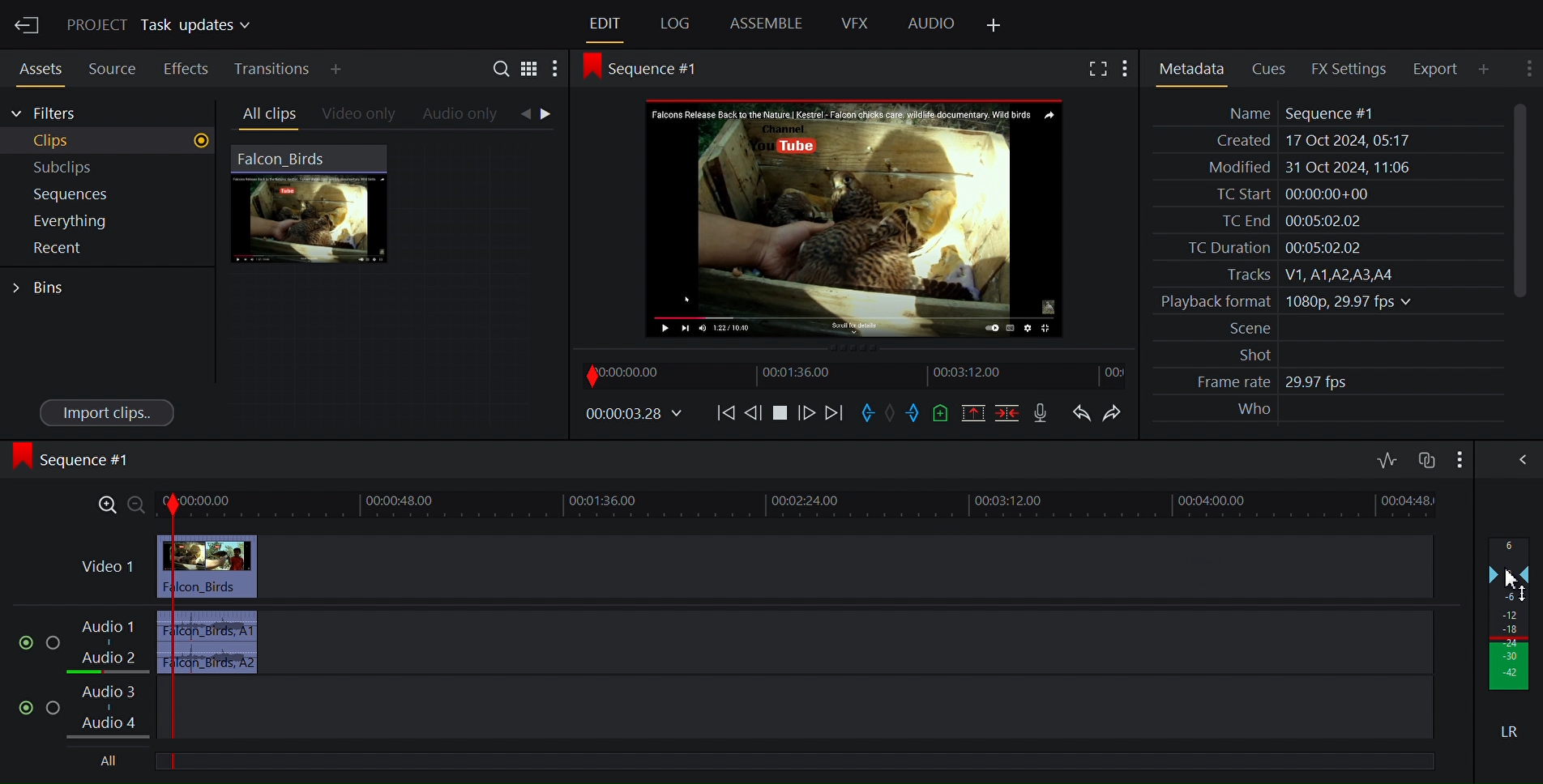 The width and height of the screenshot is (1543, 784). Describe the element at coordinates (1306, 141) in the screenshot. I see `Created 17 Oct 2024, 05:17` at that location.